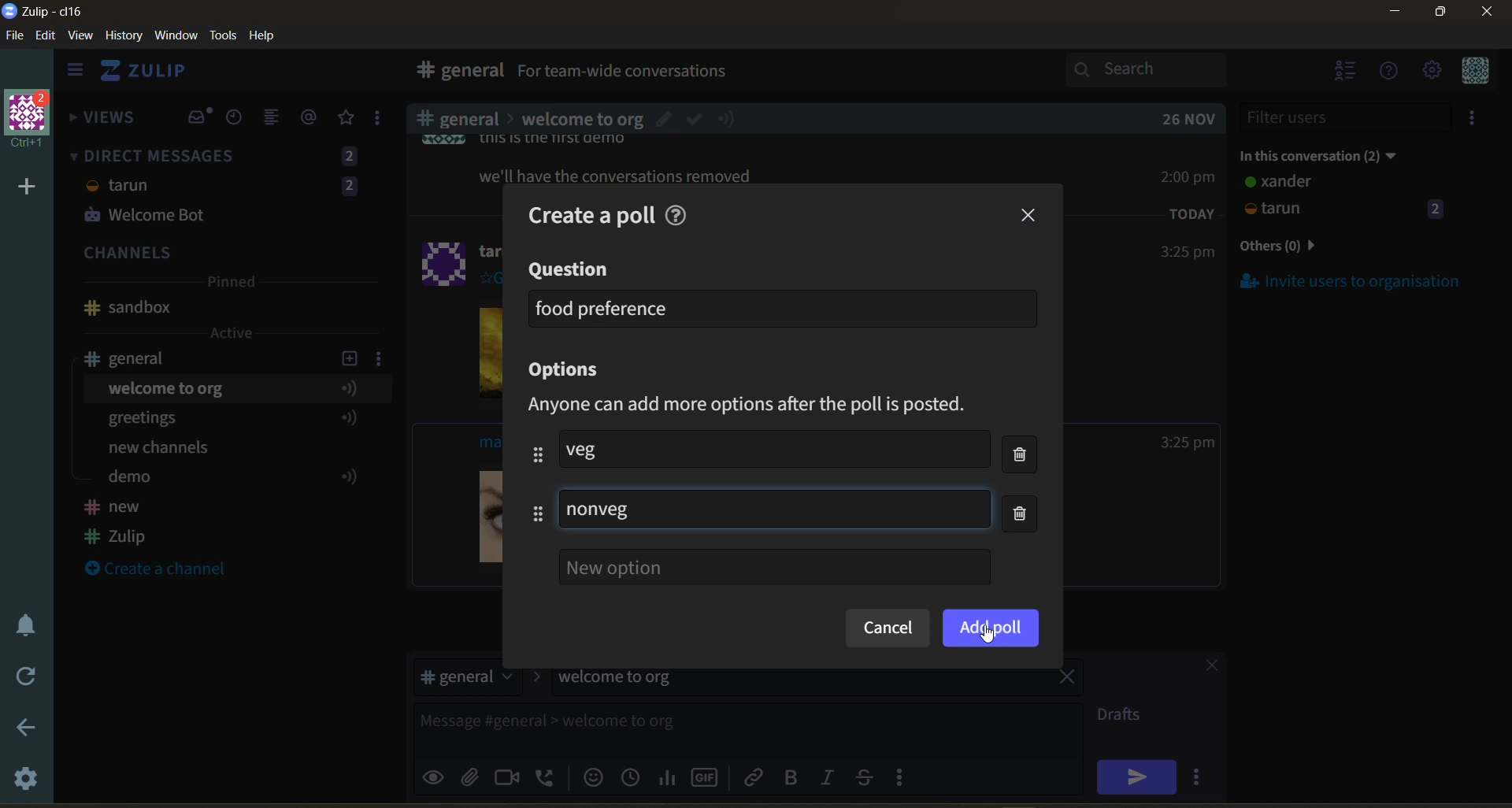  I want to click on add emoji, so click(591, 776).